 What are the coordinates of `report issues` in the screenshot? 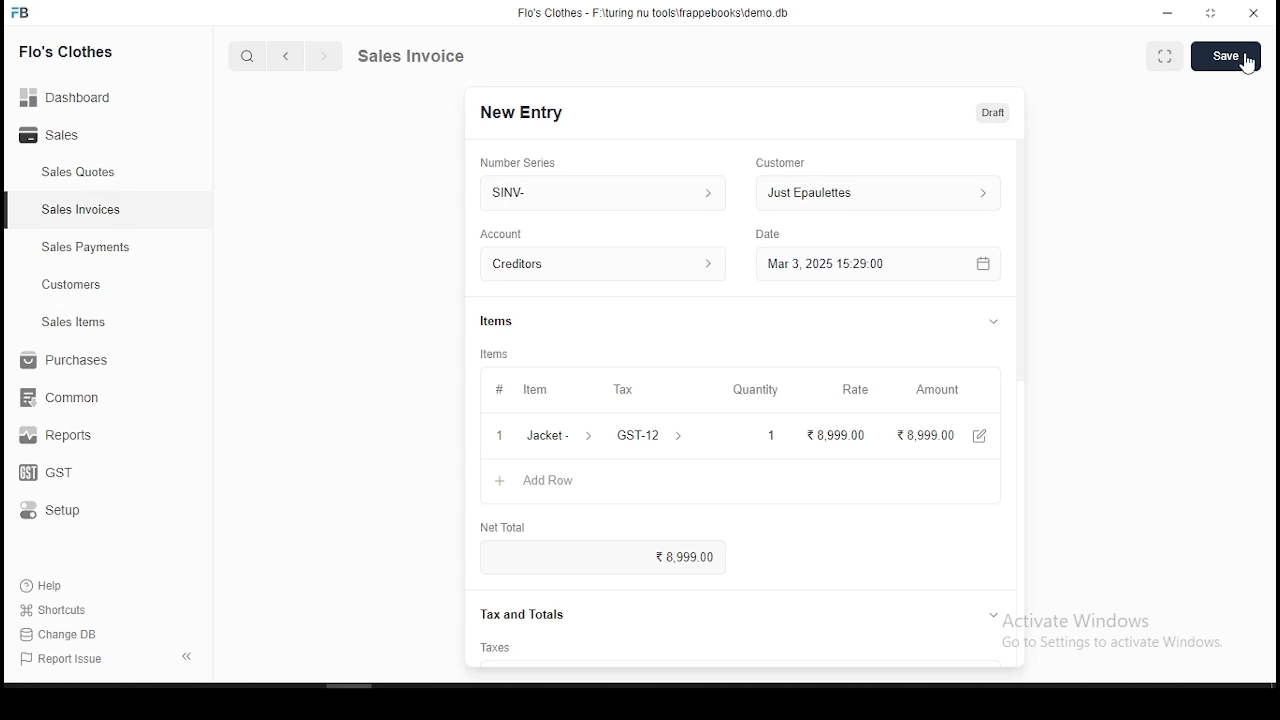 It's located at (65, 660).